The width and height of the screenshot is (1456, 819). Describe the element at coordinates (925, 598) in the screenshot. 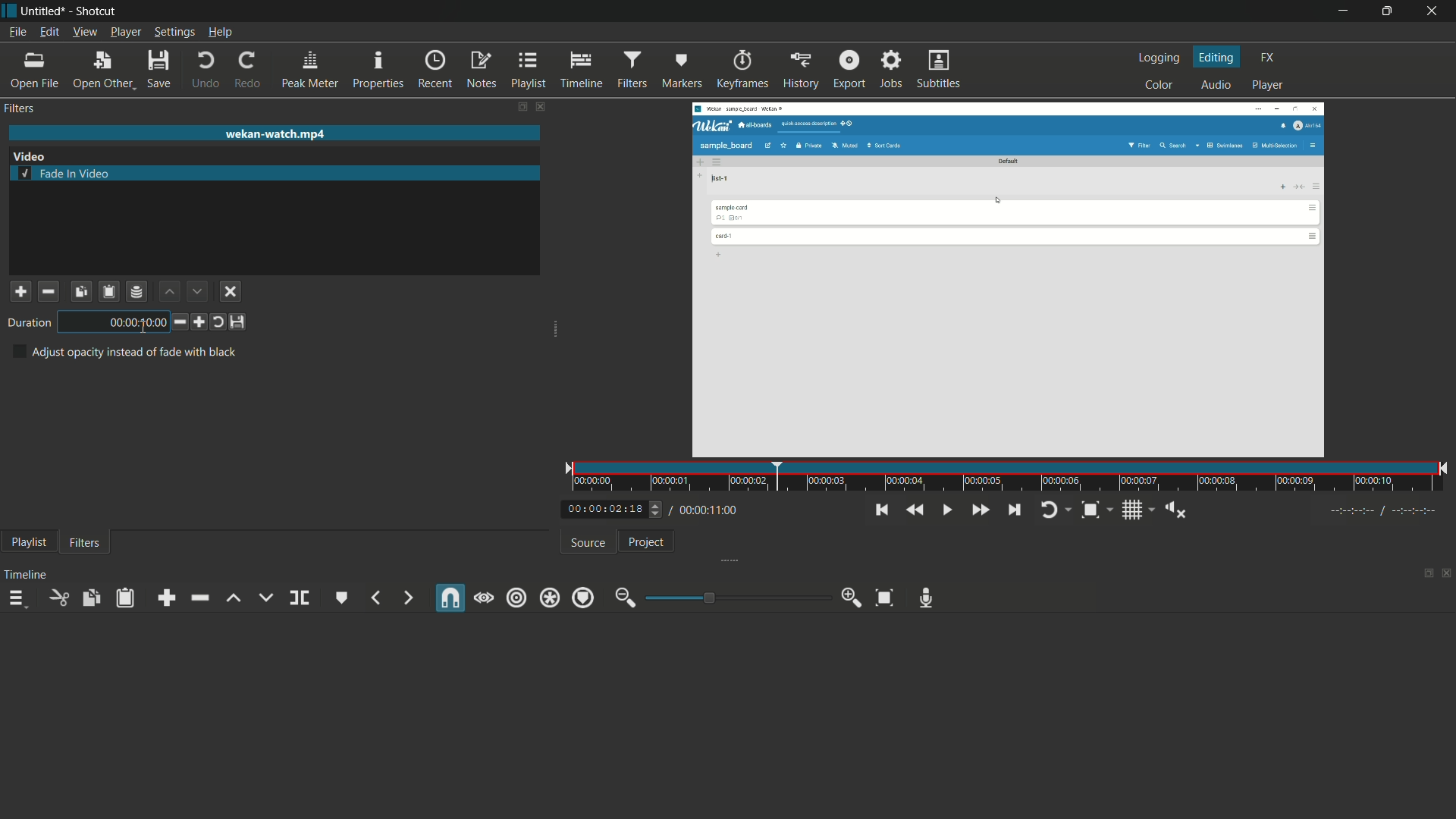

I see `record audio` at that location.